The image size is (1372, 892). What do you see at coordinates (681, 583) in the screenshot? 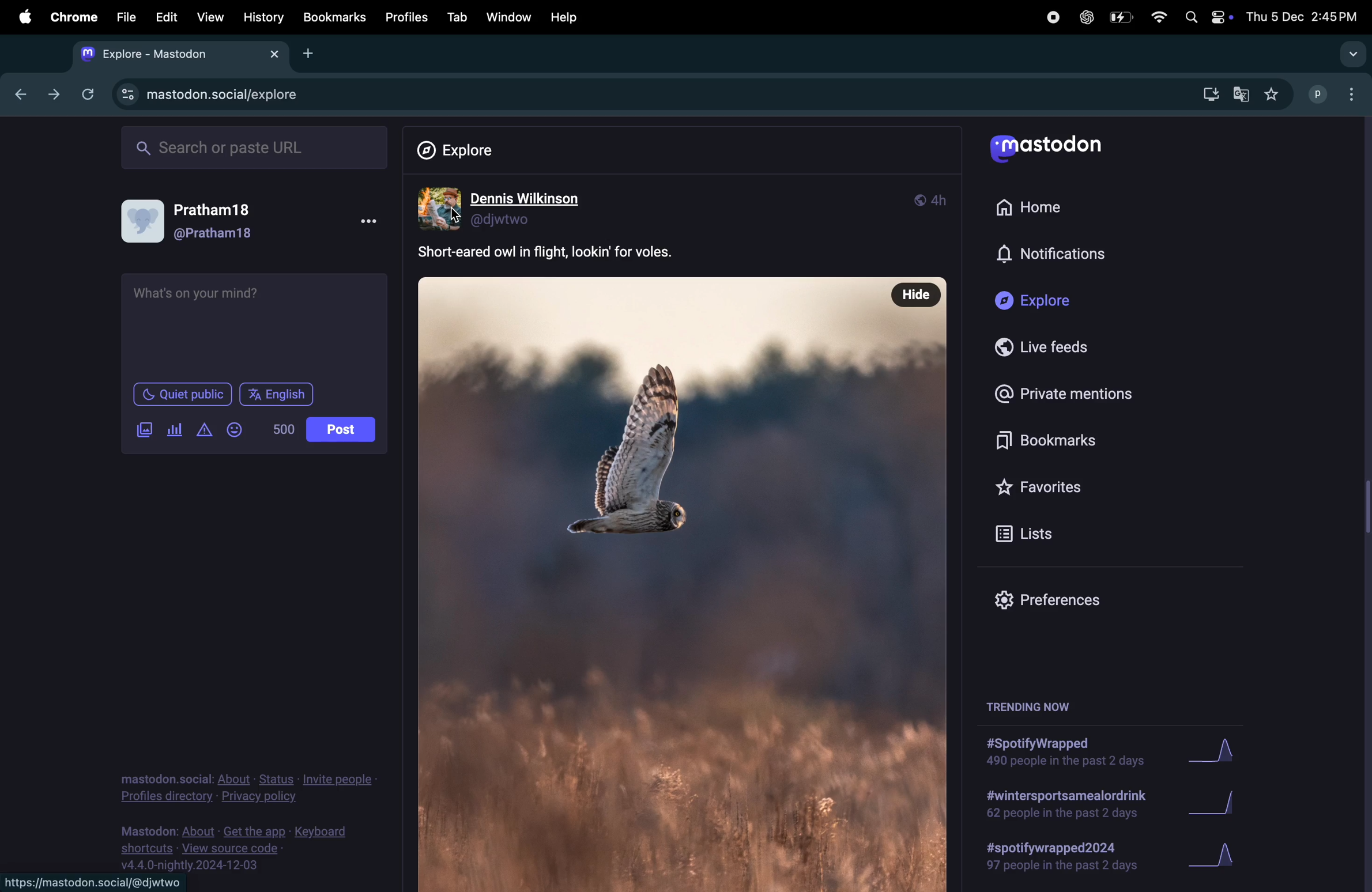
I see `photo of bird` at bounding box center [681, 583].